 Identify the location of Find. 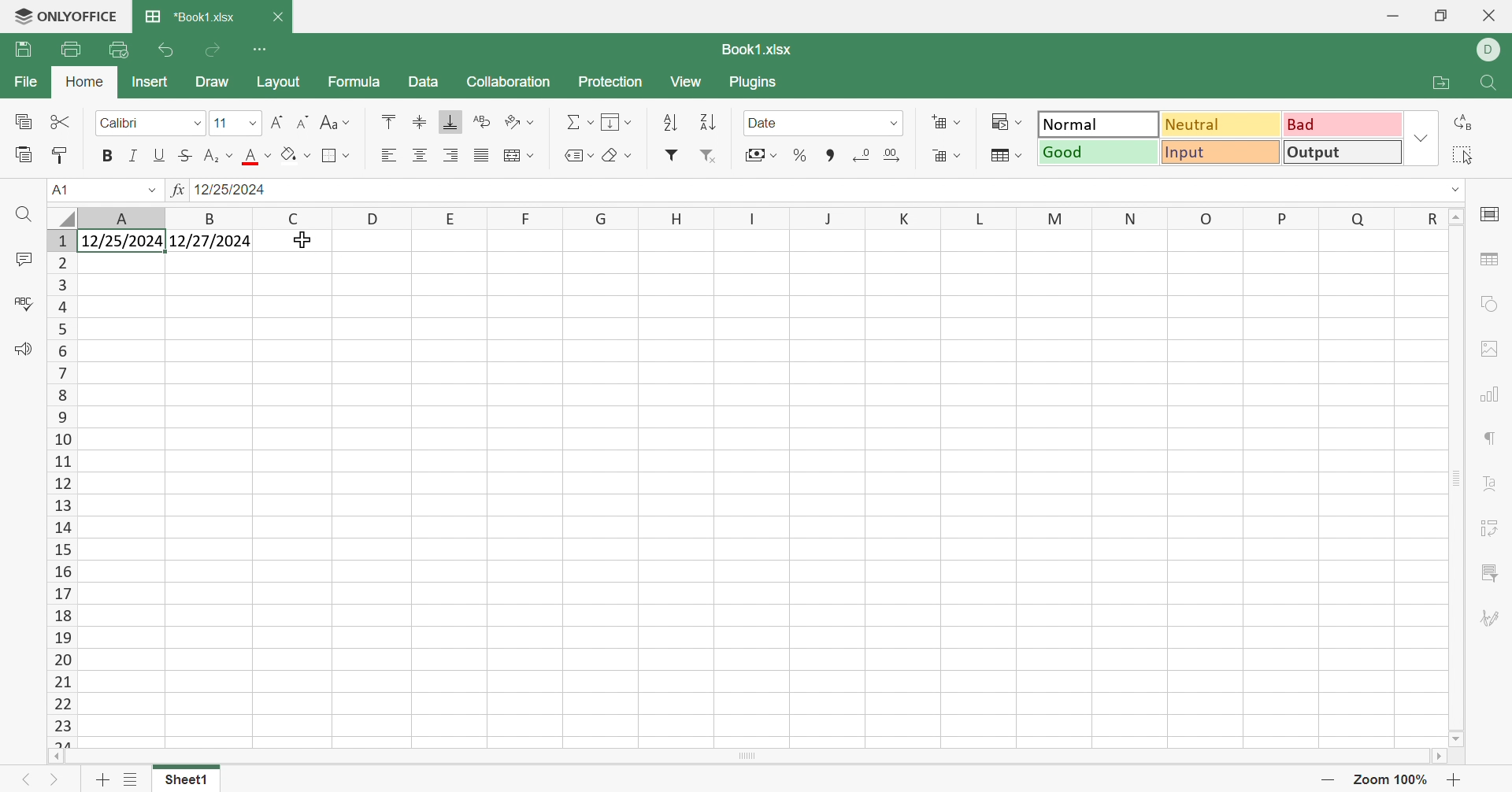
(24, 215).